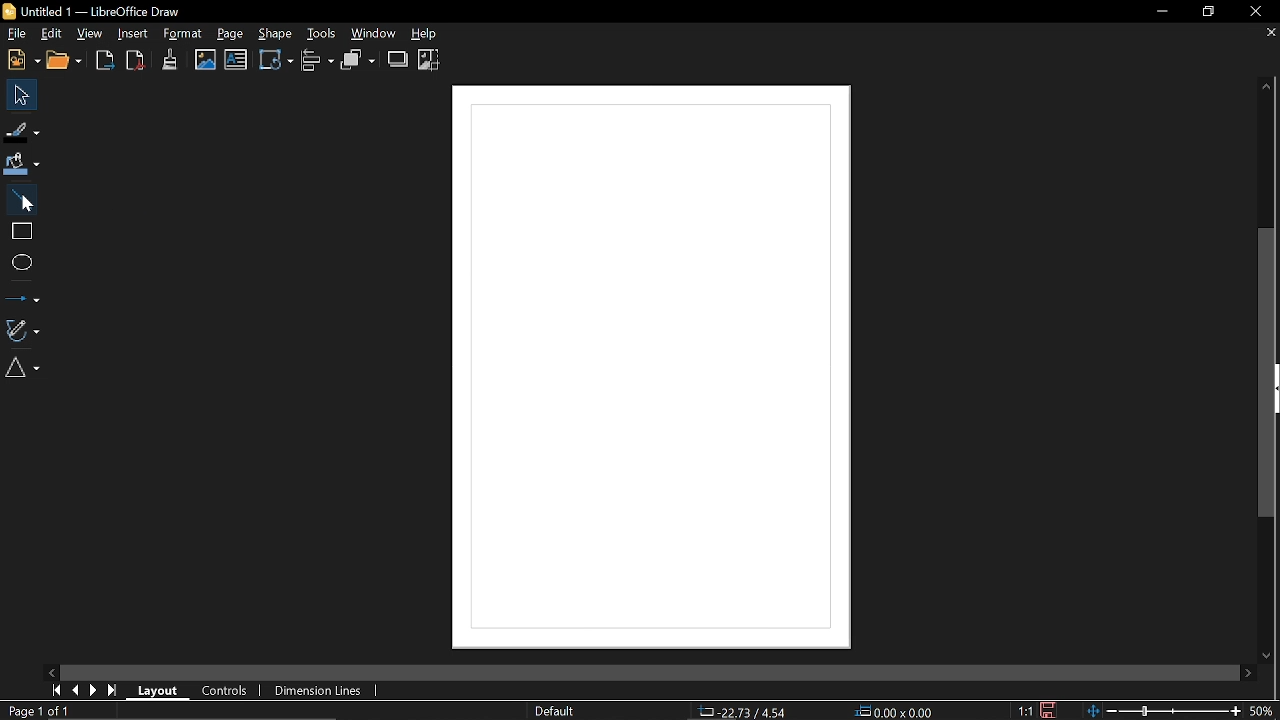  What do you see at coordinates (38, 711) in the screenshot?
I see `Current page` at bounding box center [38, 711].